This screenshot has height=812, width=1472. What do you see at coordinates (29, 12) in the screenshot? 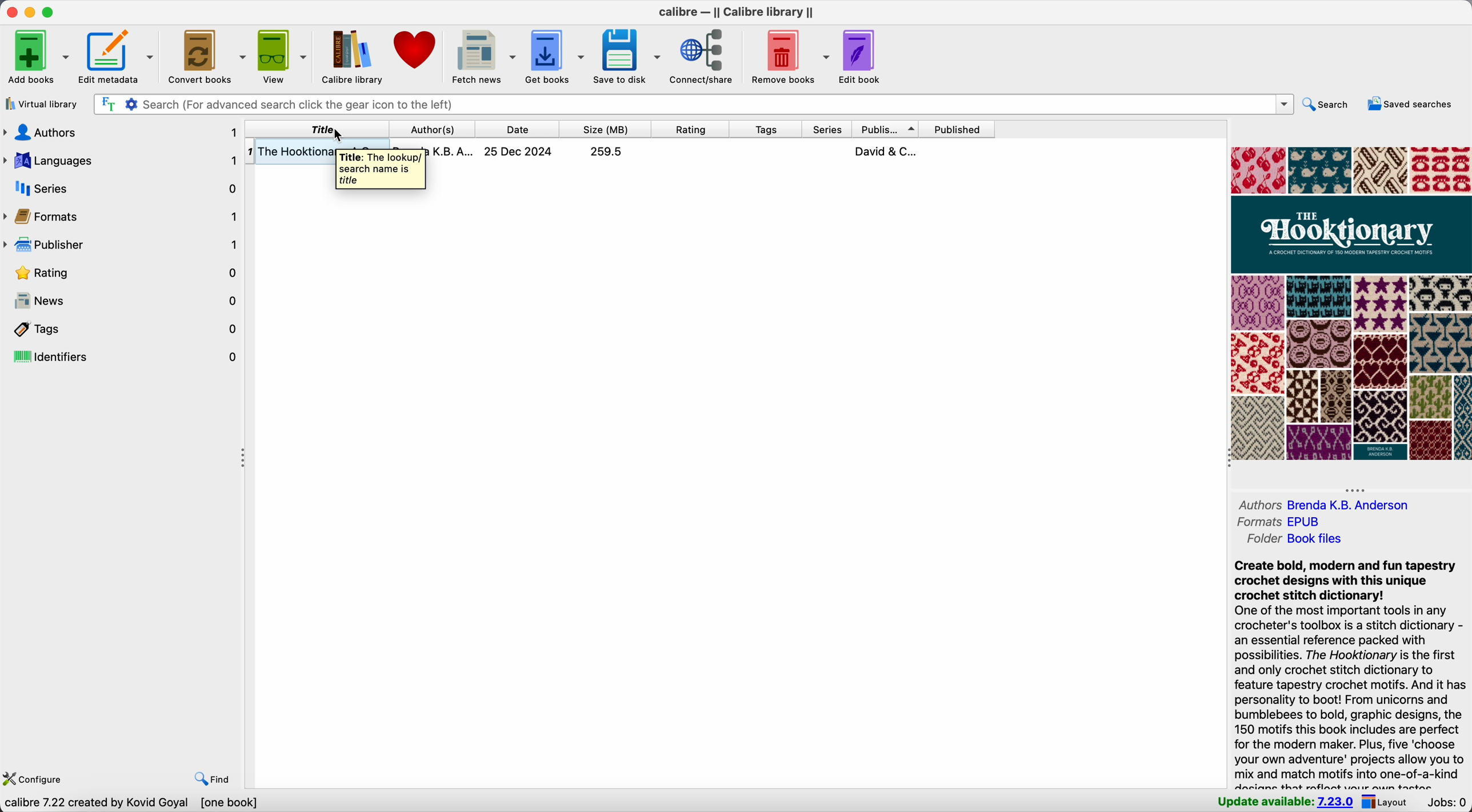
I see `minimize` at bounding box center [29, 12].